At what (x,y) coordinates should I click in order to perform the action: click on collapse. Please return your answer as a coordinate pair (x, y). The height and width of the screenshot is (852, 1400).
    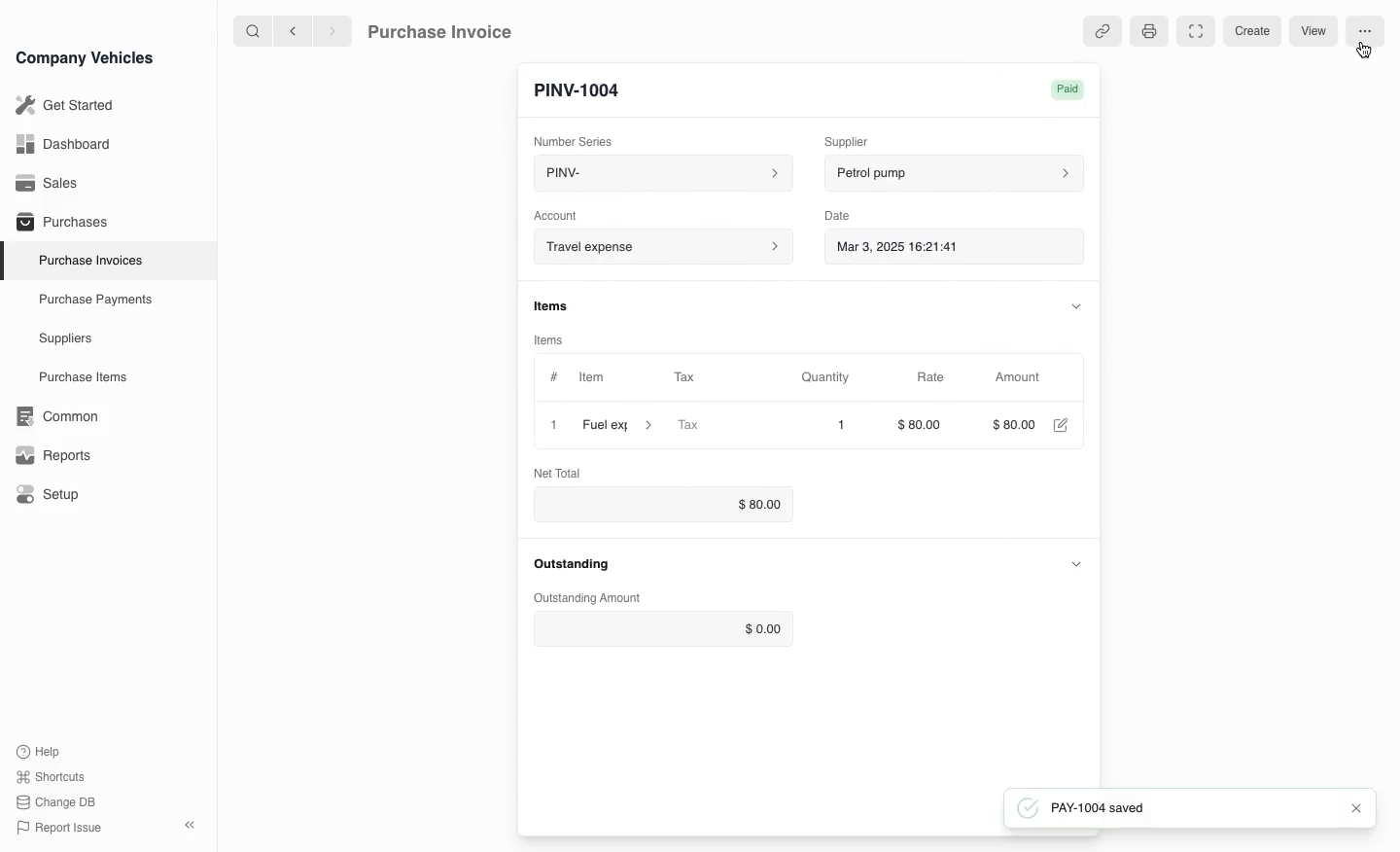
    Looking at the image, I should click on (1076, 305).